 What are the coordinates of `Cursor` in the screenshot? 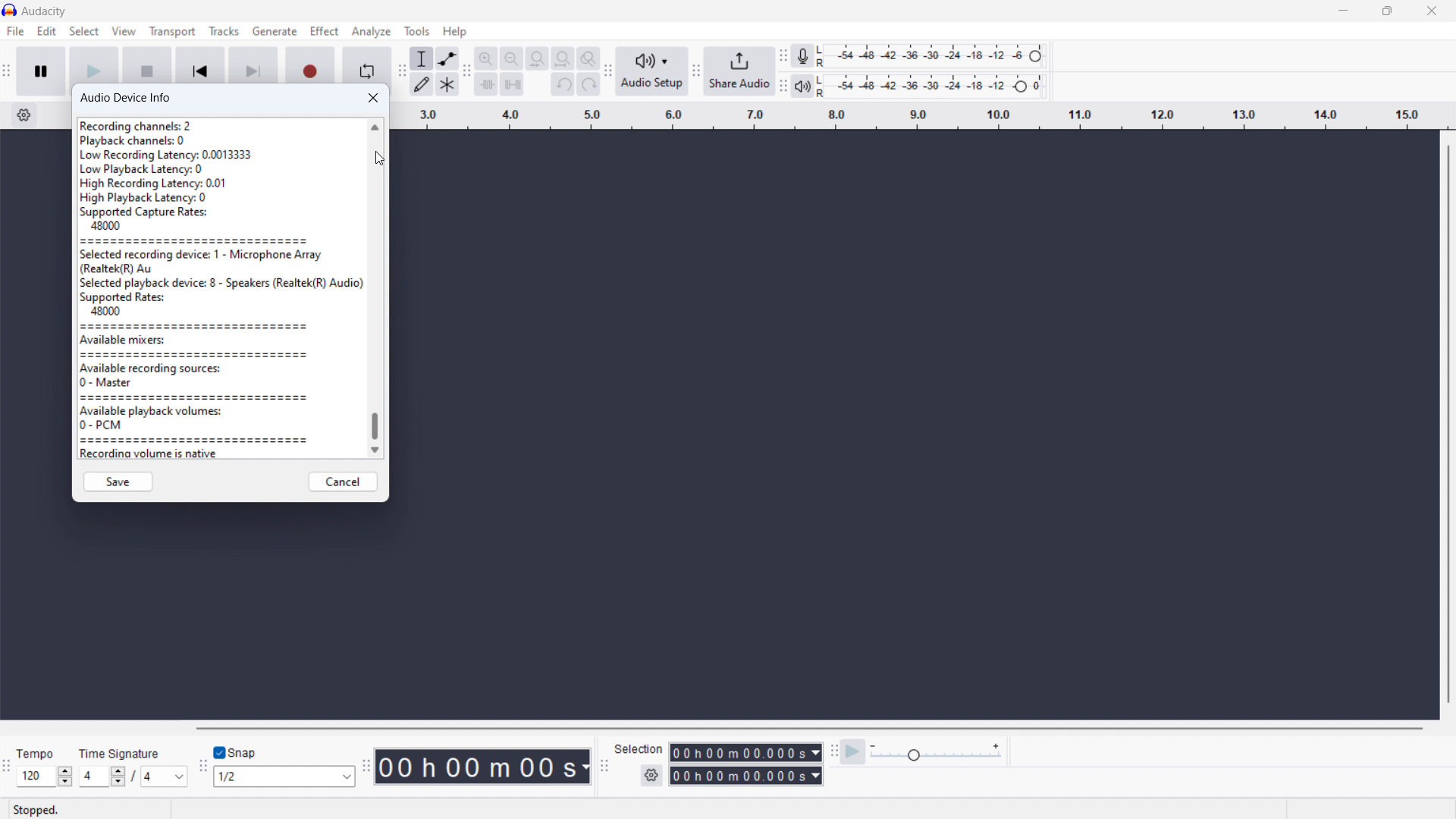 It's located at (382, 161).